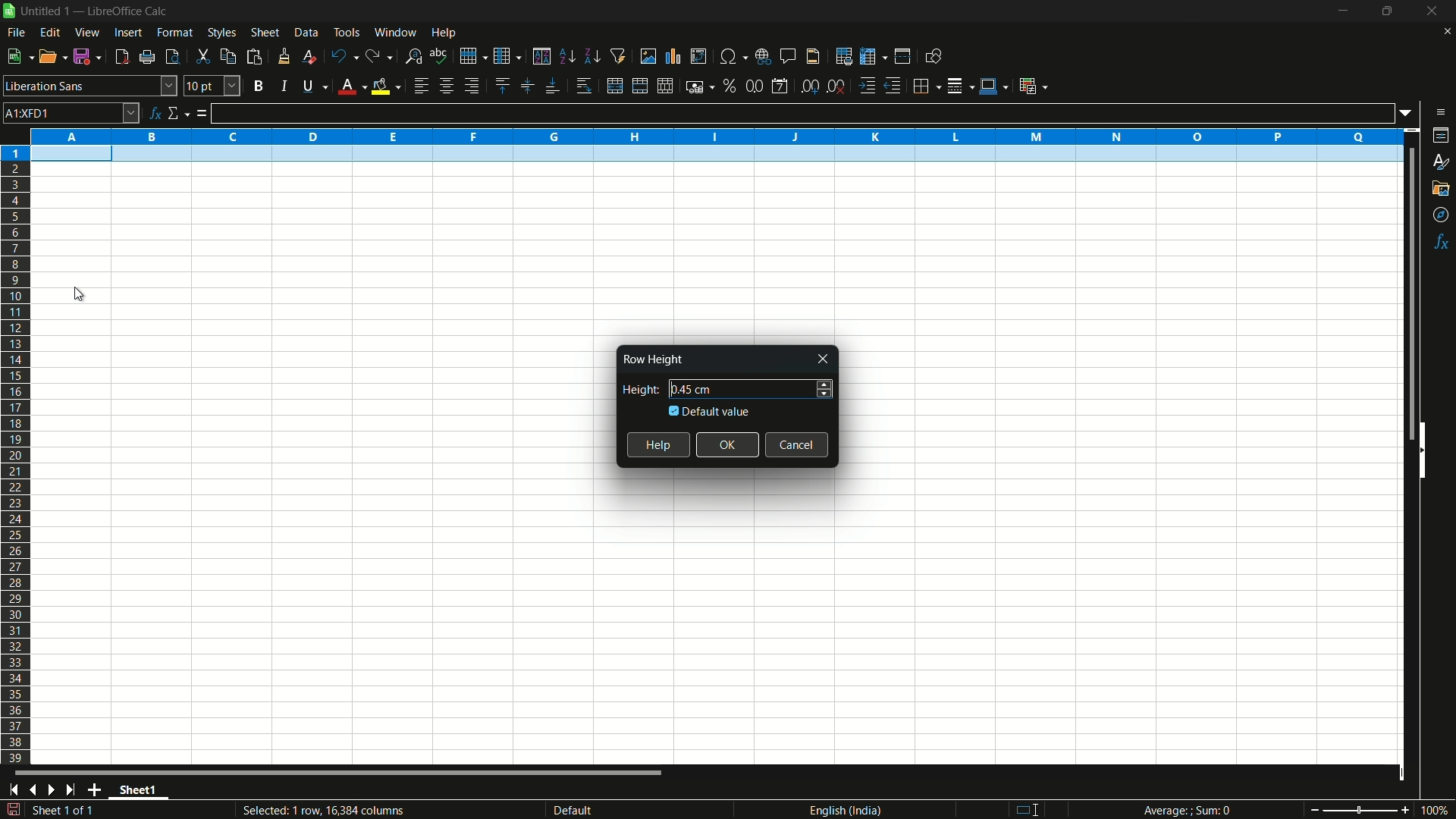  I want to click on Row Height, so click(651, 359).